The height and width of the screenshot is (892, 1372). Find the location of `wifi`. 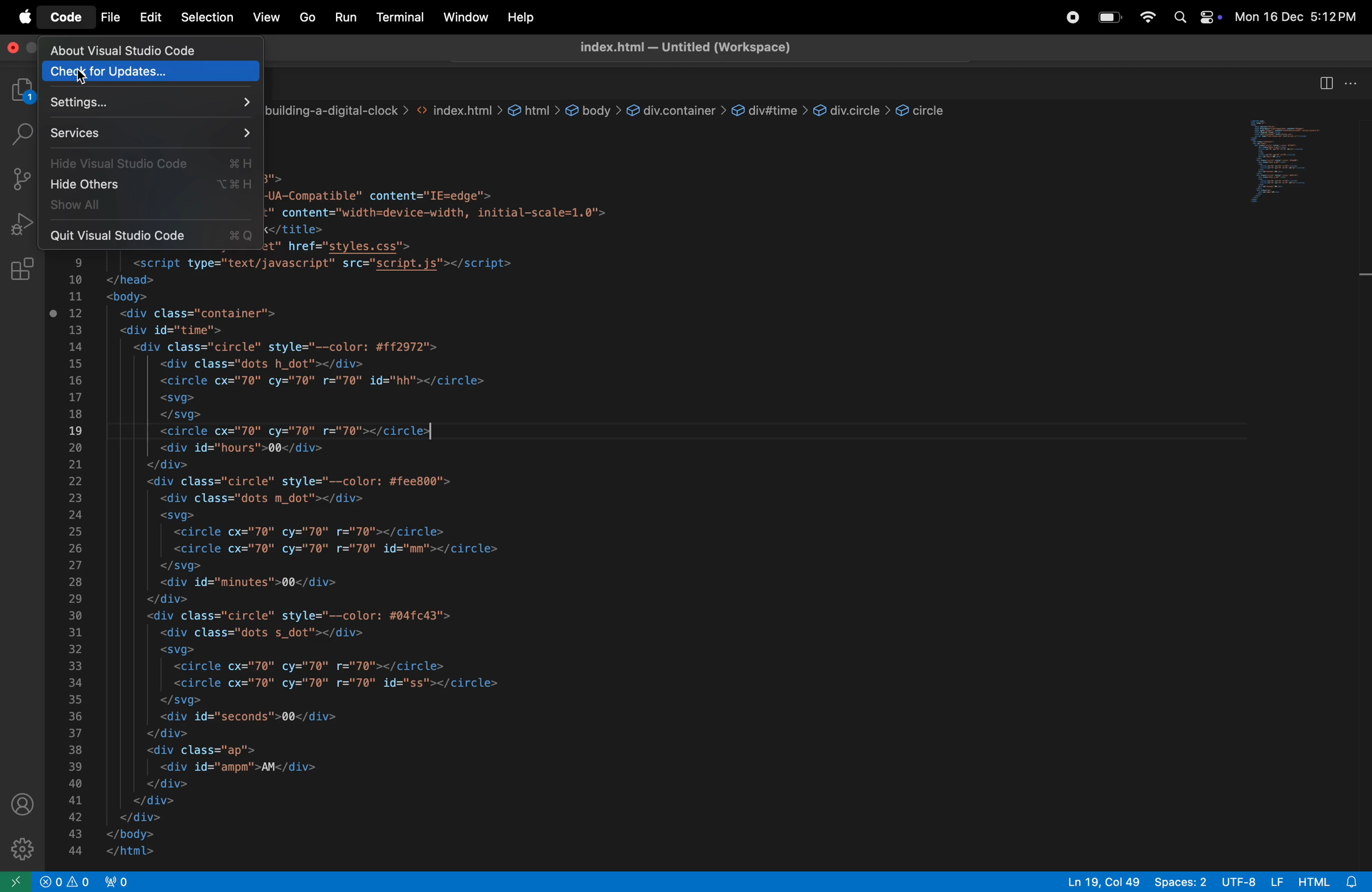

wifi is located at coordinates (1146, 17).